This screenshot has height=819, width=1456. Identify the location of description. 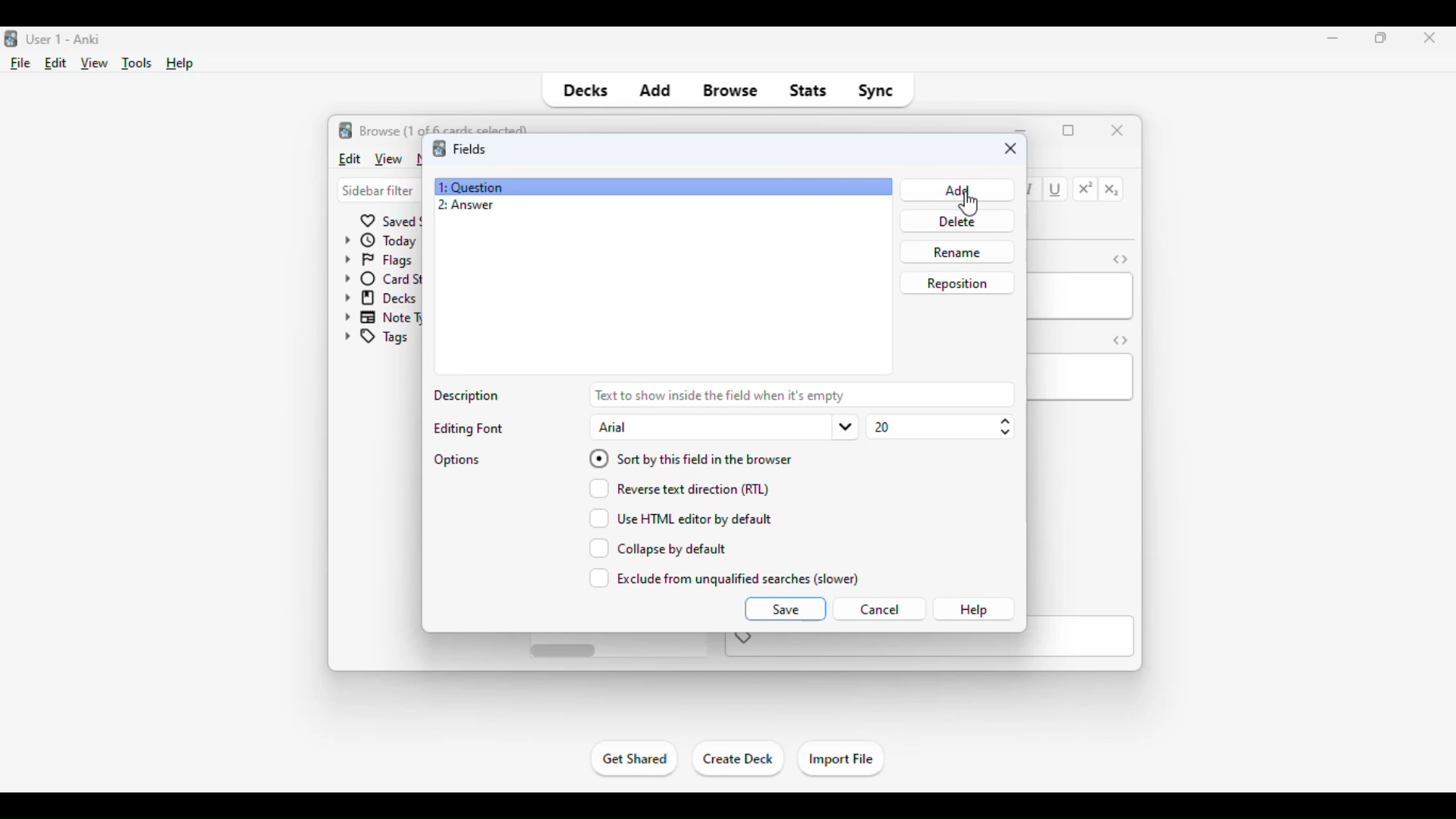
(468, 397).